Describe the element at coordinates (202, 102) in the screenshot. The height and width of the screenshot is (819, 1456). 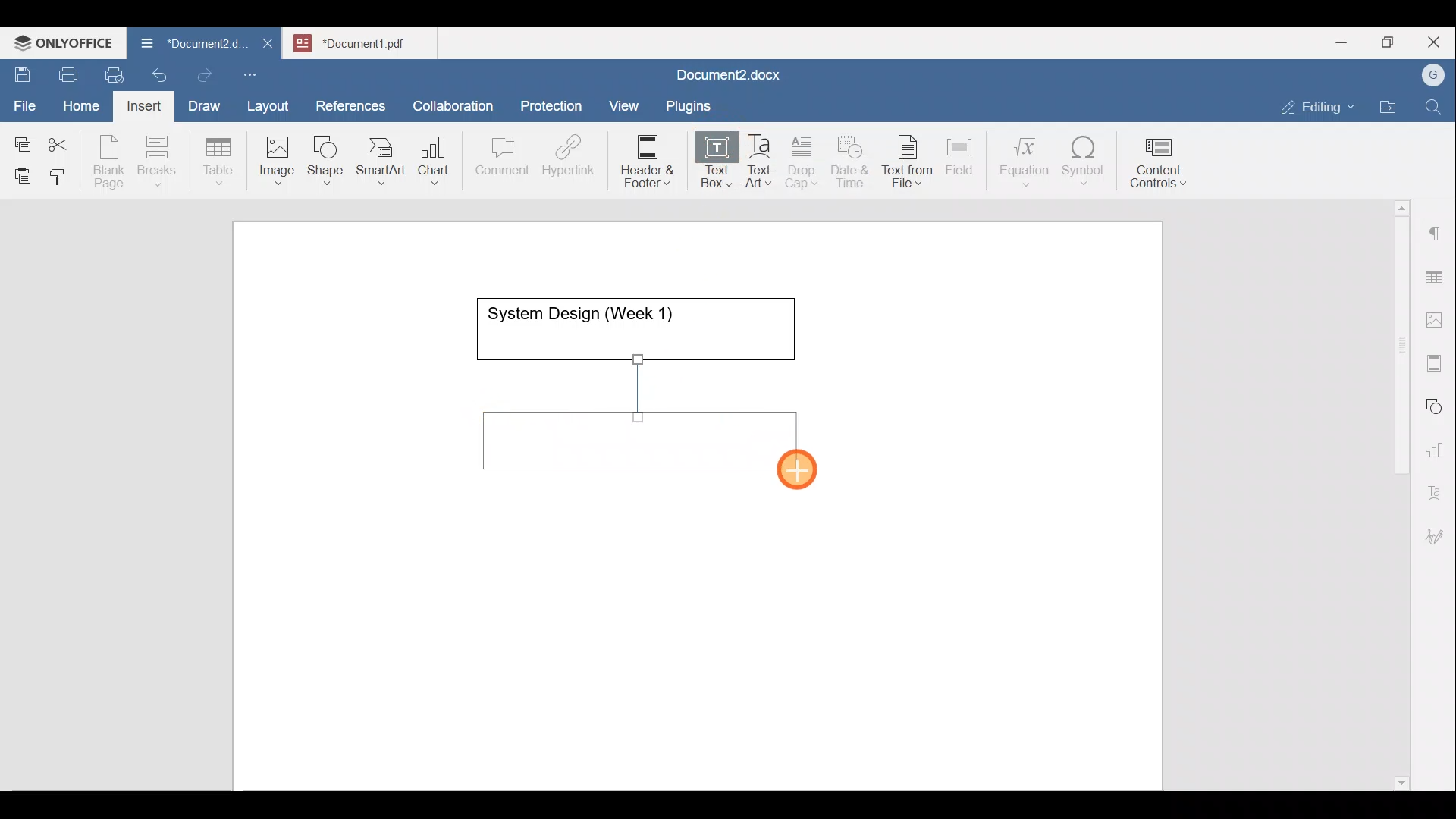
I see `Draw` at that location.